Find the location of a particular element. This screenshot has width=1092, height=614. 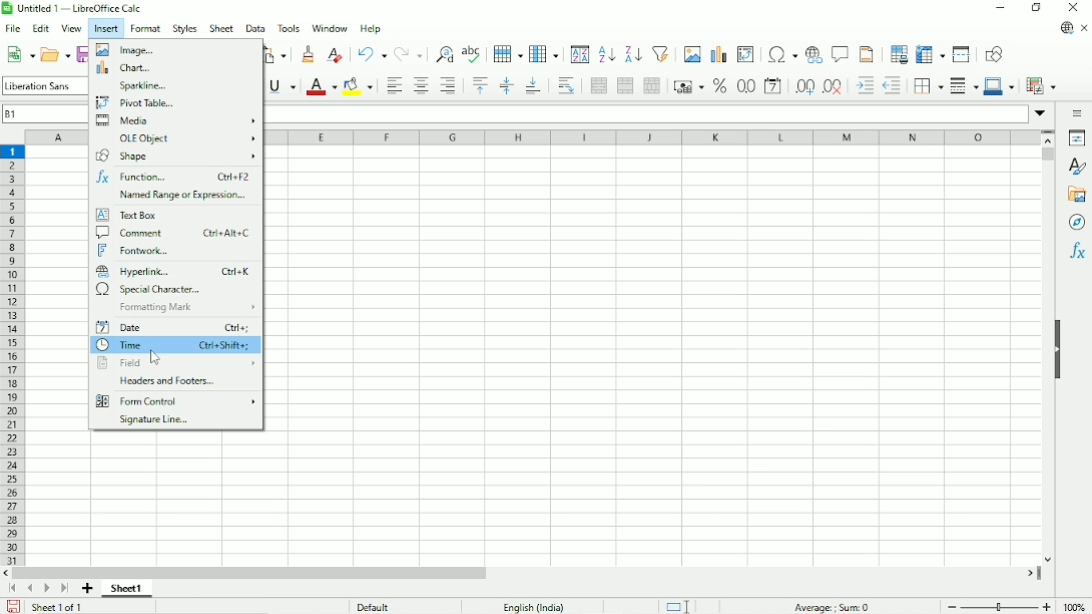

Undo is located at coordinates (372, 53).